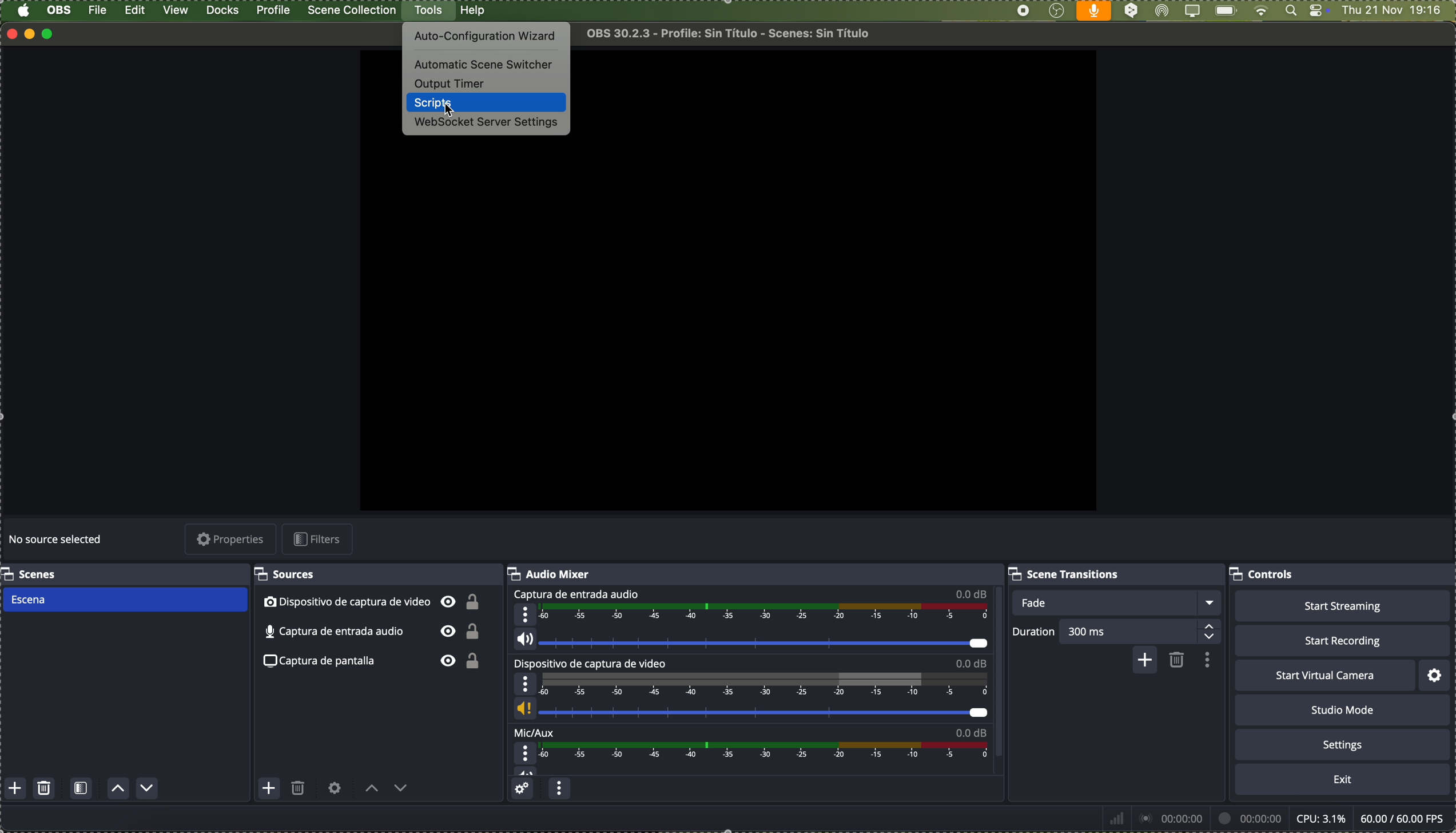 The image size is (1456, 833). Describe the element at coordinates (1343, 744) in the screenshot. I see `settings` at that location.